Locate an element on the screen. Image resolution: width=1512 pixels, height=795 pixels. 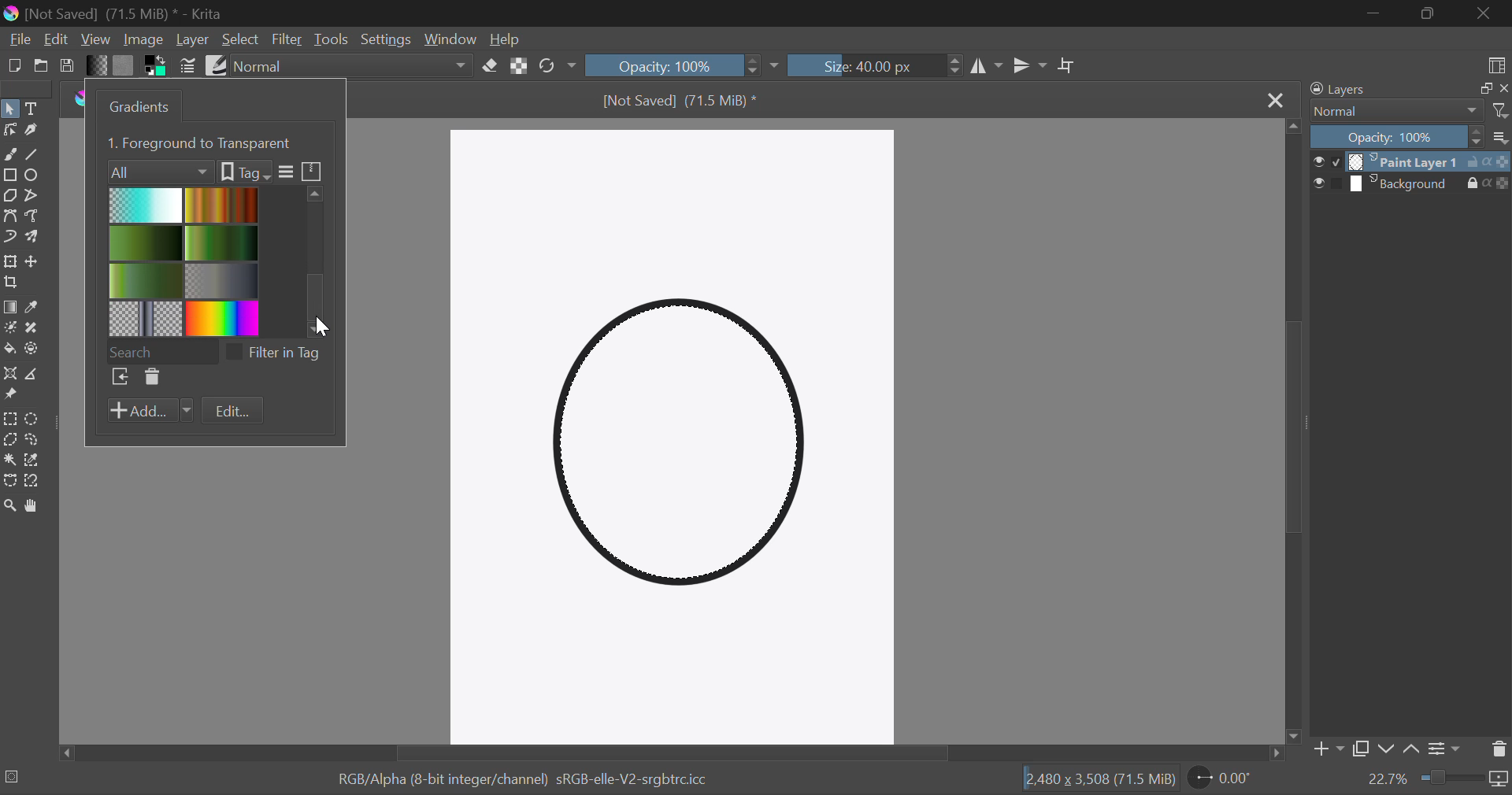
Line is located at coordinates (34, 155).